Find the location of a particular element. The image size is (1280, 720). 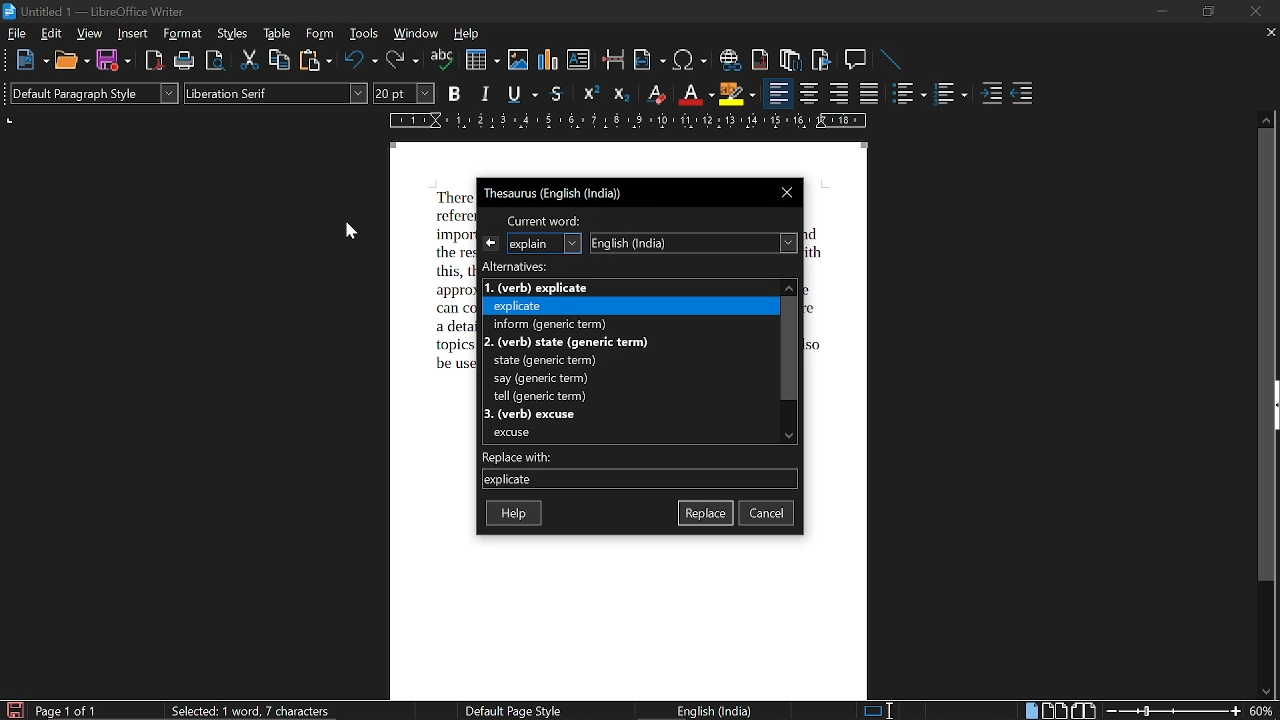

strikethrough is located at coordinates (558, 95).